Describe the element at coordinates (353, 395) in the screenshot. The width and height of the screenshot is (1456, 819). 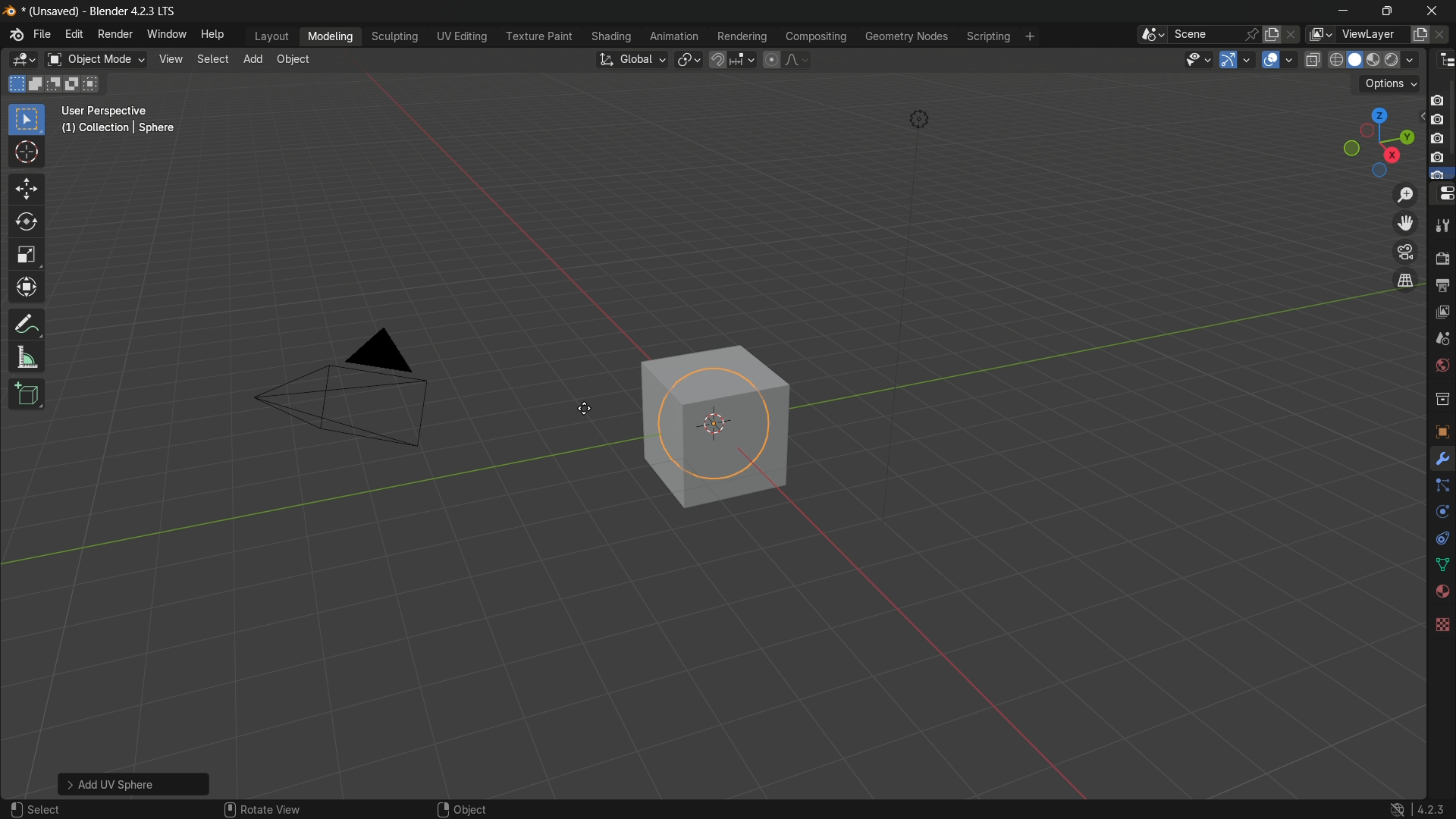
I see `camera` at that location.